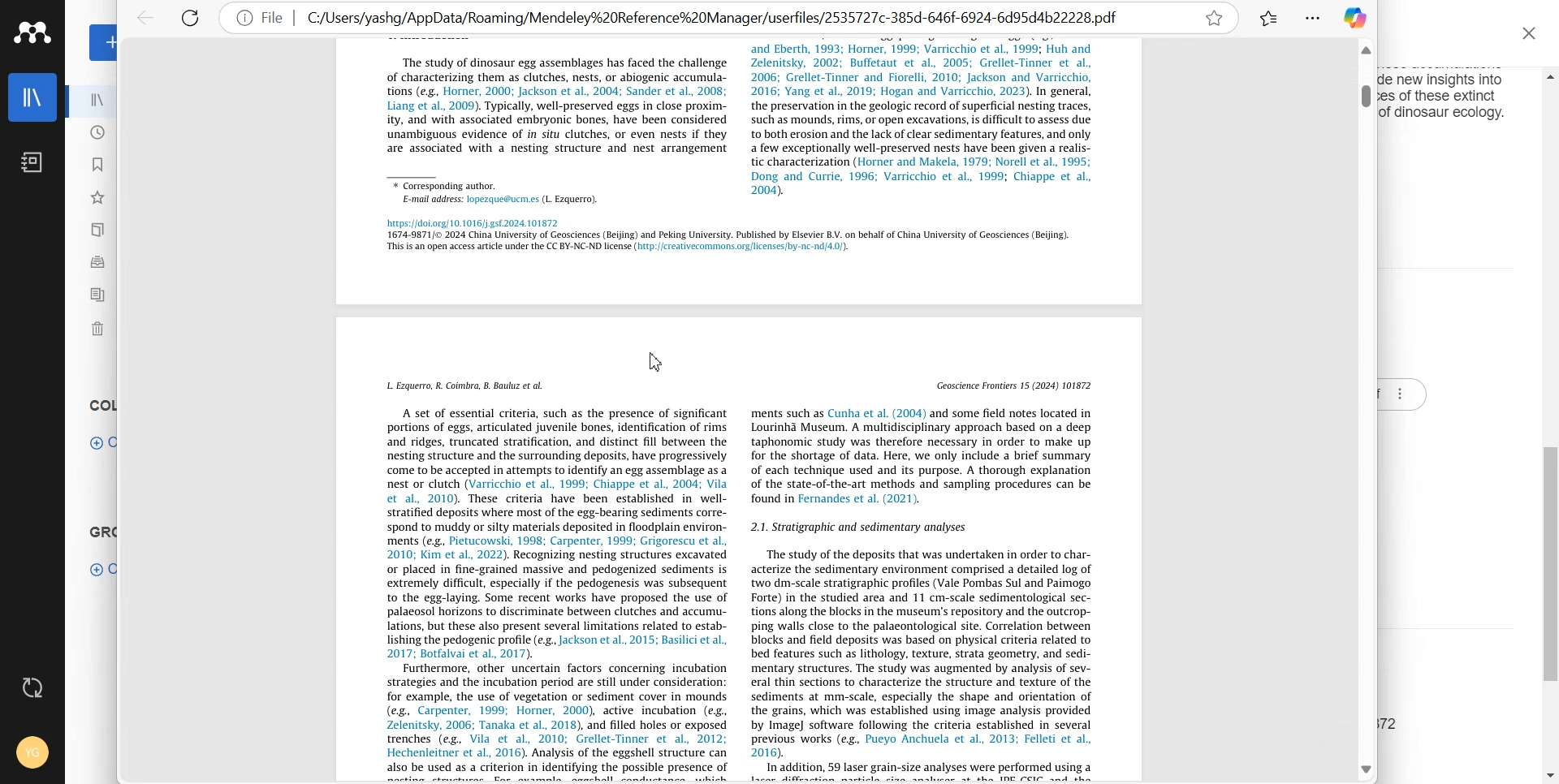 Image resolution: width=1559 pixels, height=784 pixels. What do you see at coordinates (740, 169) in the screenshot?
I see `Page of Large dinosaur egg accumulations and their significance for understanding nesting behaviour` at bounding box center [740, 169].